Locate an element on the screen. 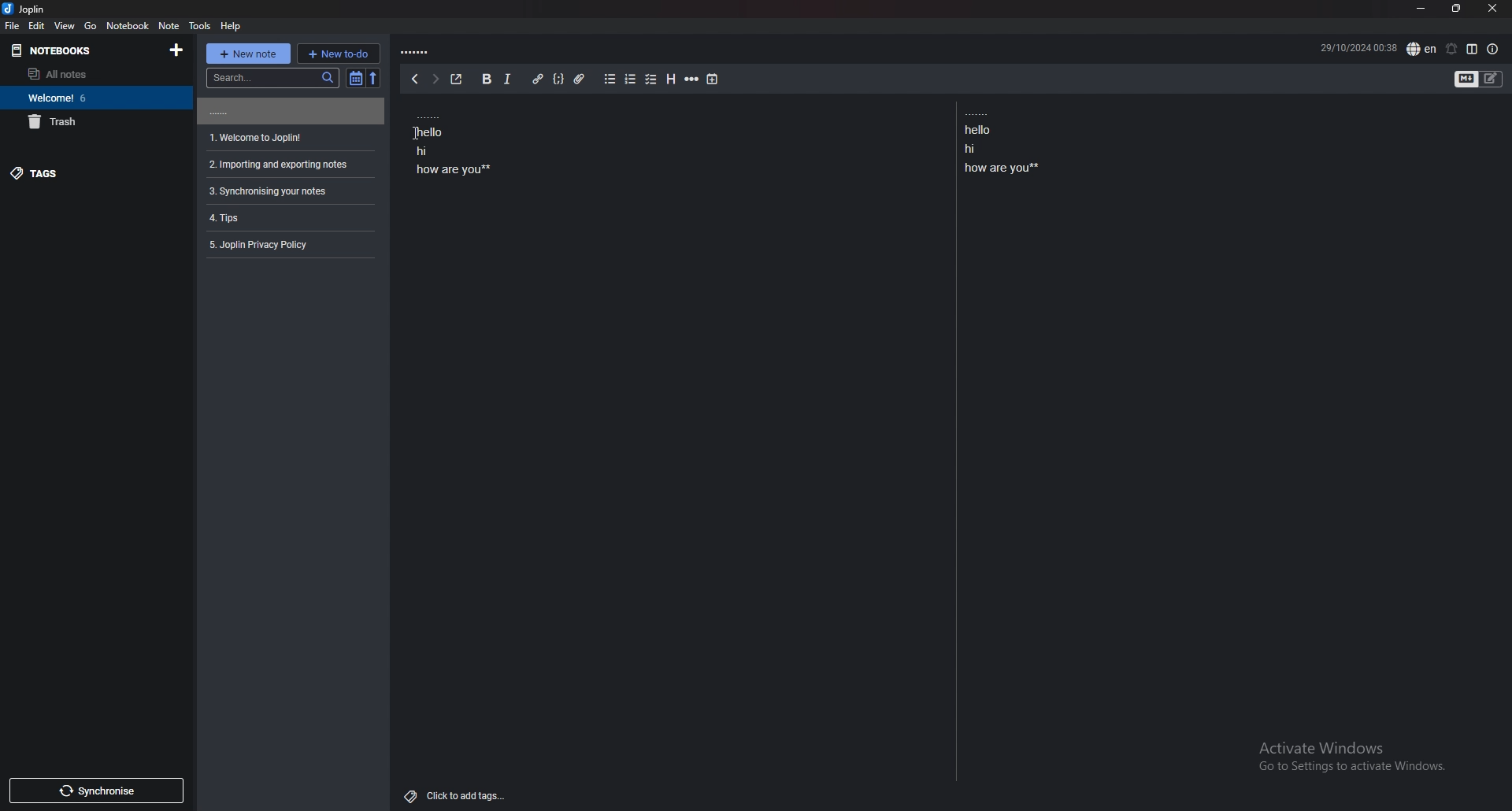  go is located at coordinates (91, 25).